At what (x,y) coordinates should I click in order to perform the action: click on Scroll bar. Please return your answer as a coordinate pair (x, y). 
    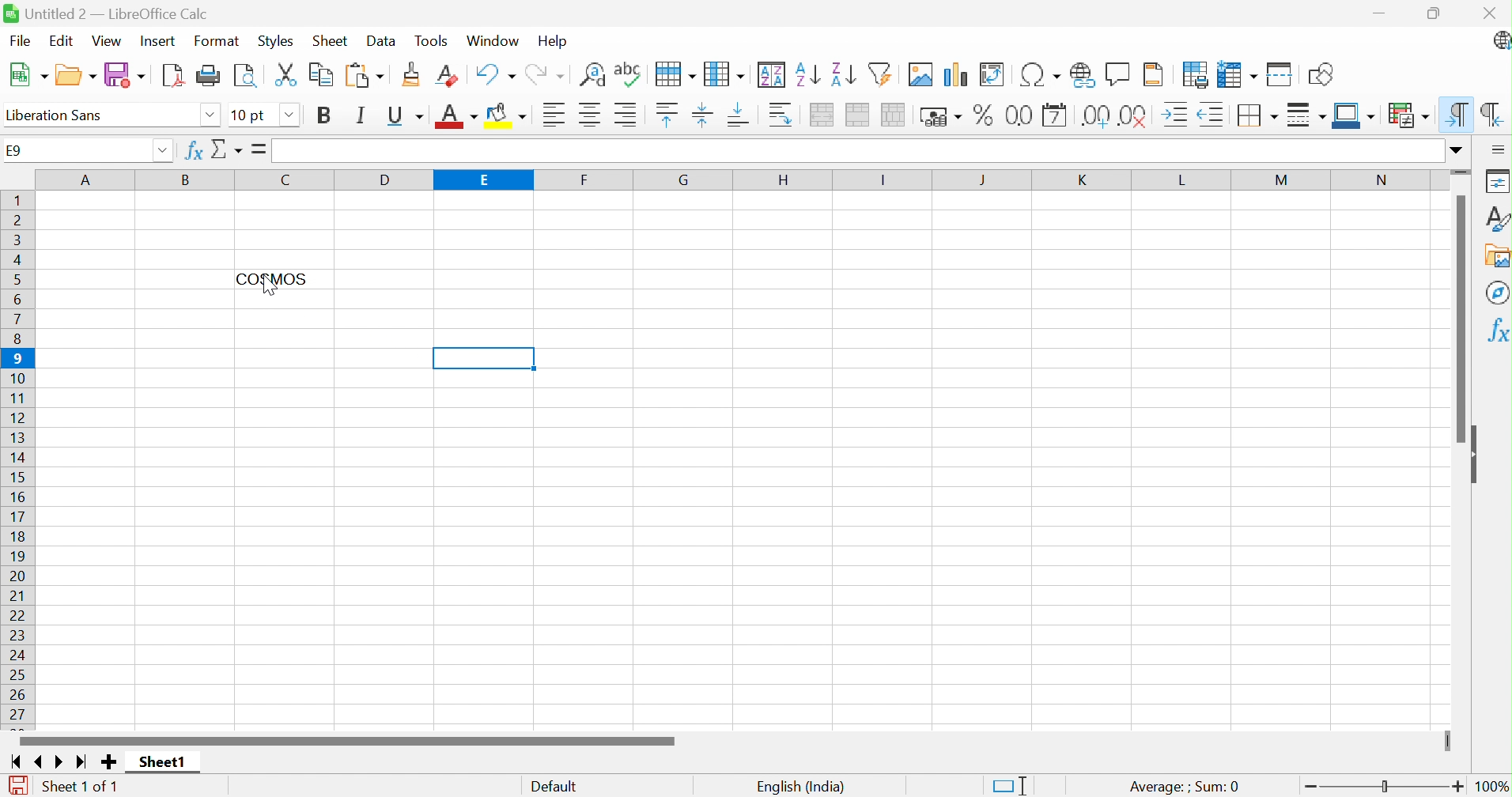
    Looking at the image, I should click on (1461, 318).